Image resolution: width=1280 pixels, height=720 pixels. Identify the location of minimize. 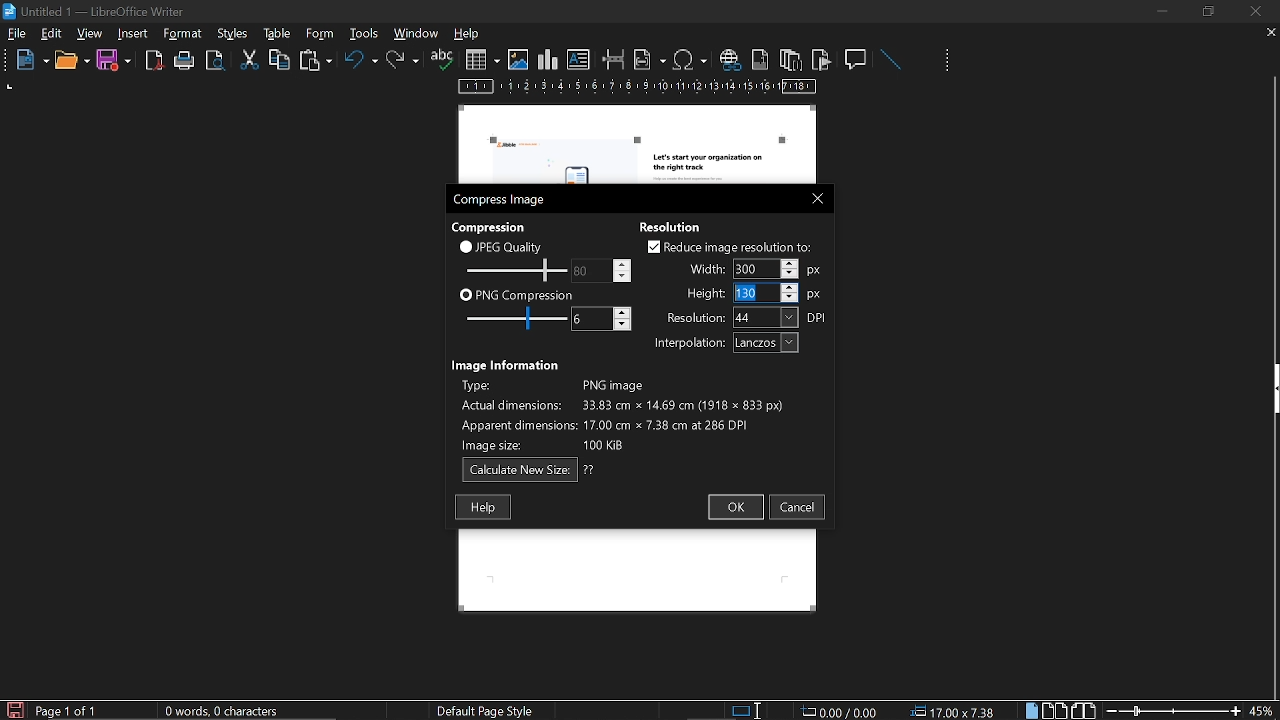
(1162, 11).